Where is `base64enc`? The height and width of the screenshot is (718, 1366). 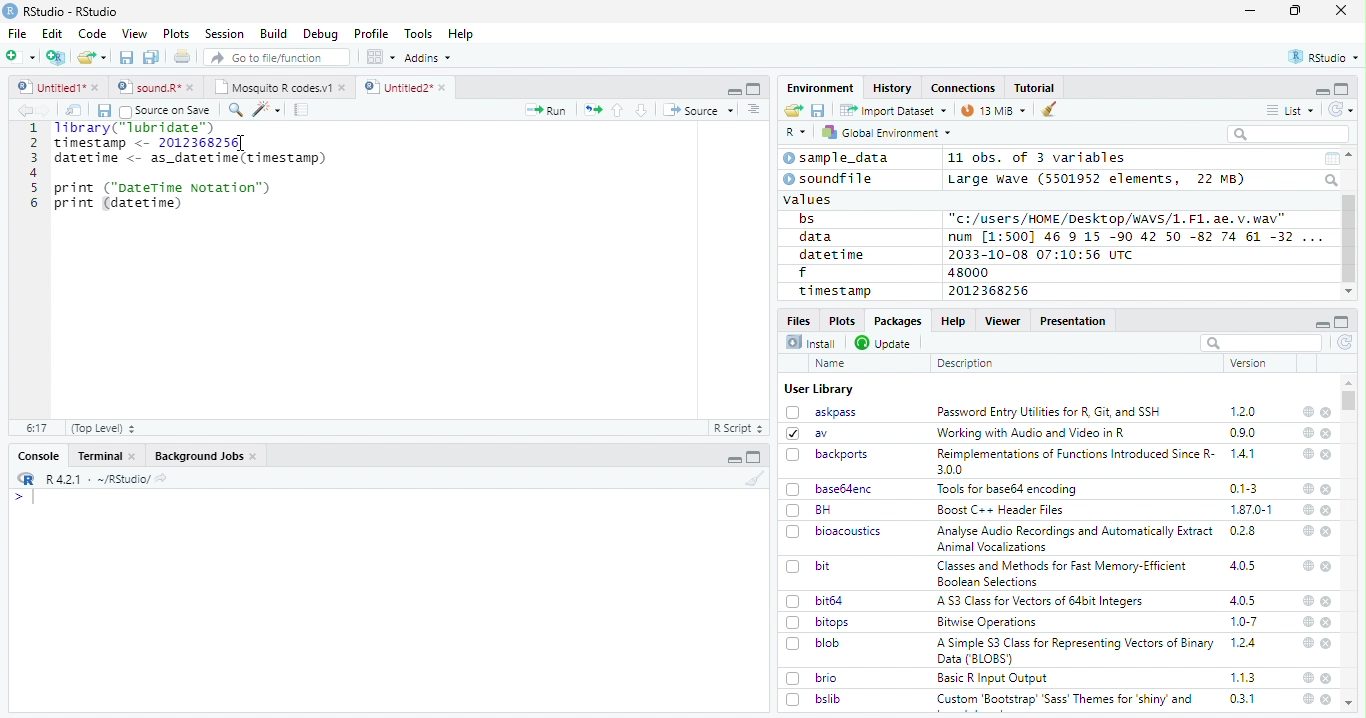 base64enc is located at coordinates (830, 488).